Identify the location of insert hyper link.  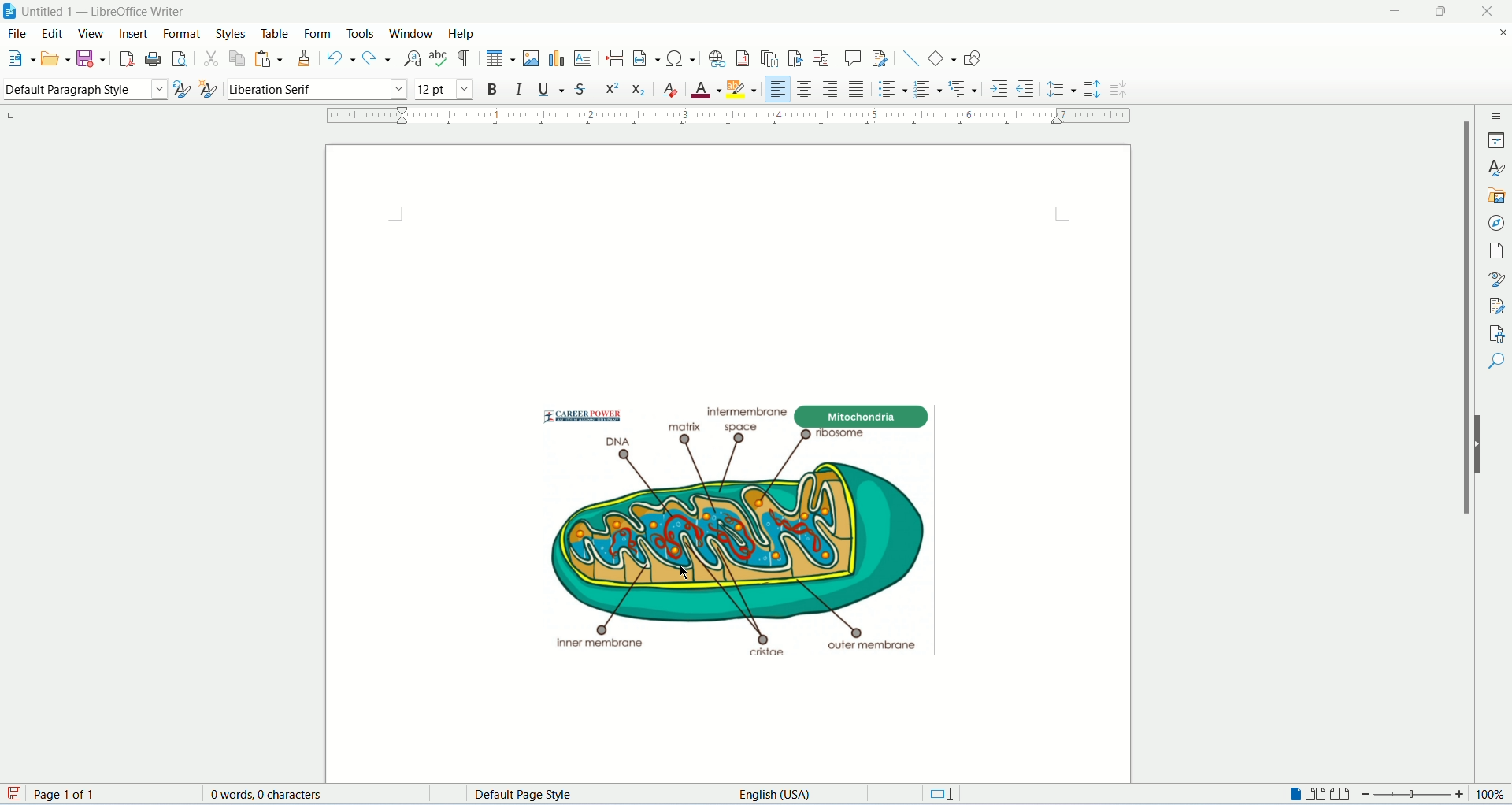
(717, 58).